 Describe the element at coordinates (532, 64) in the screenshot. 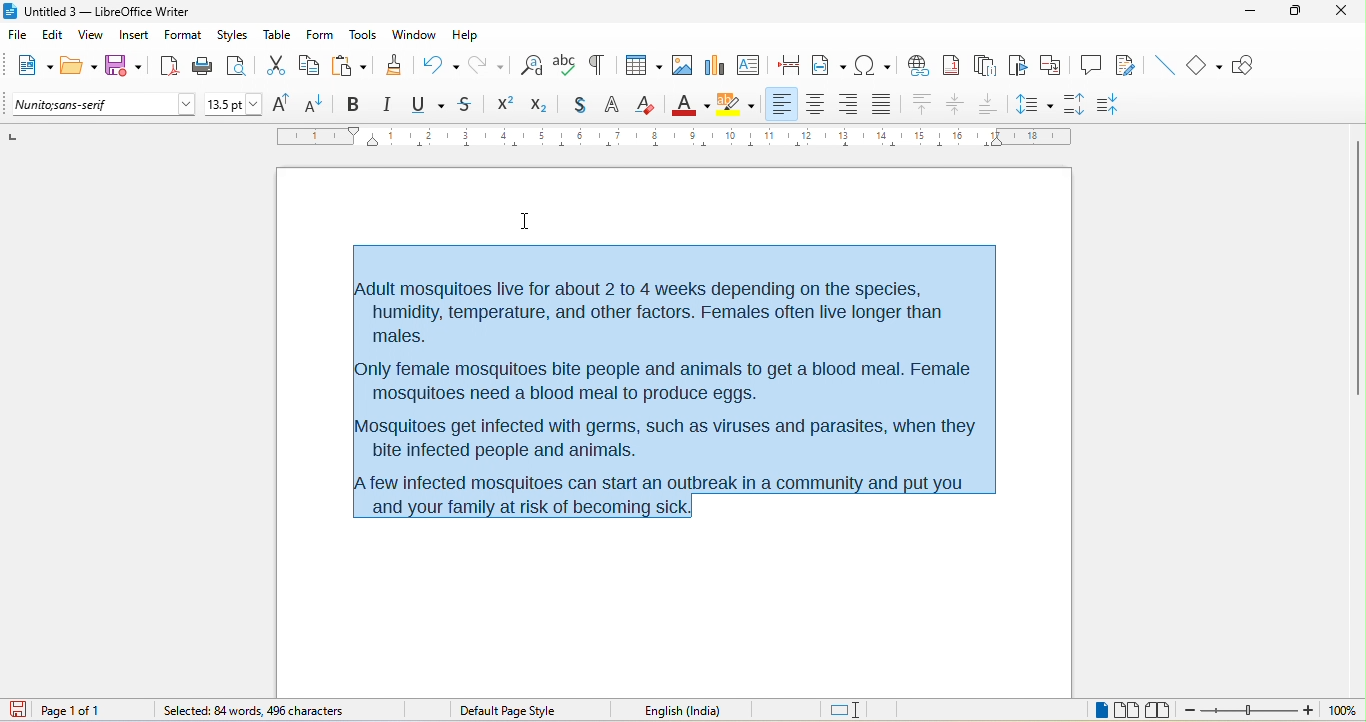

I see `find and replace` at that location.